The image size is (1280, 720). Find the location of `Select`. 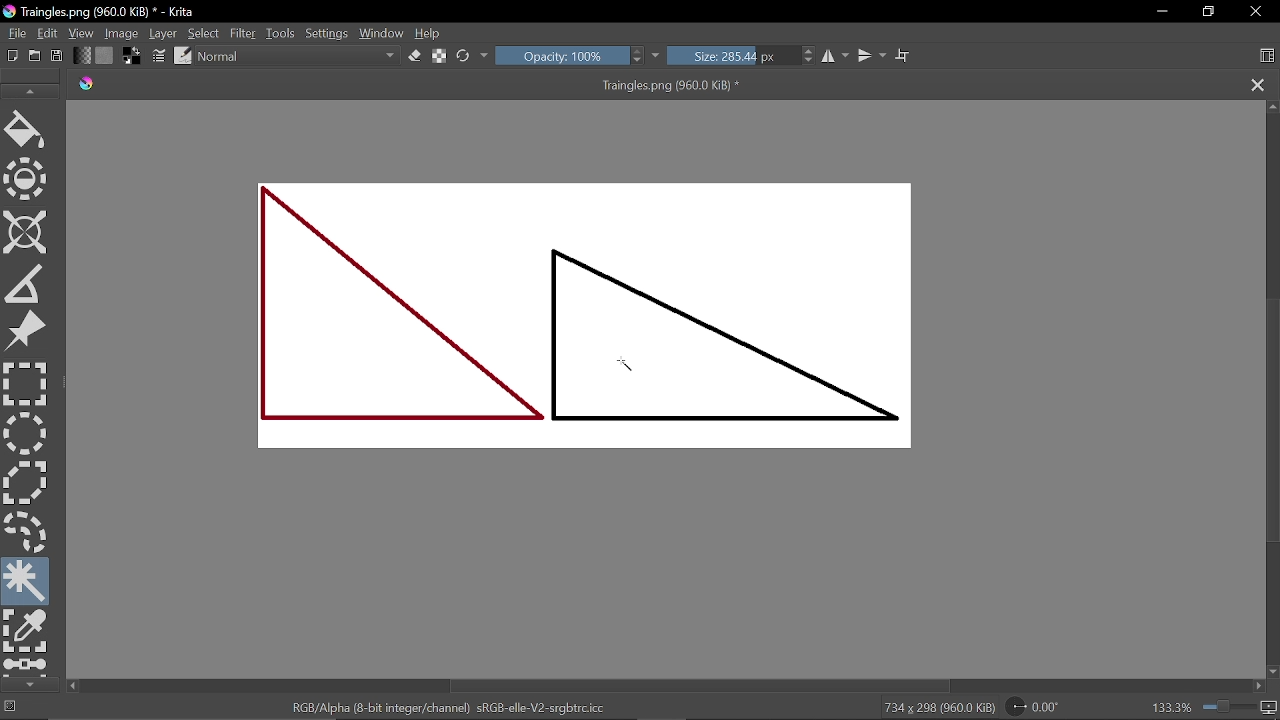

Select is located at coordinates (205, 32).